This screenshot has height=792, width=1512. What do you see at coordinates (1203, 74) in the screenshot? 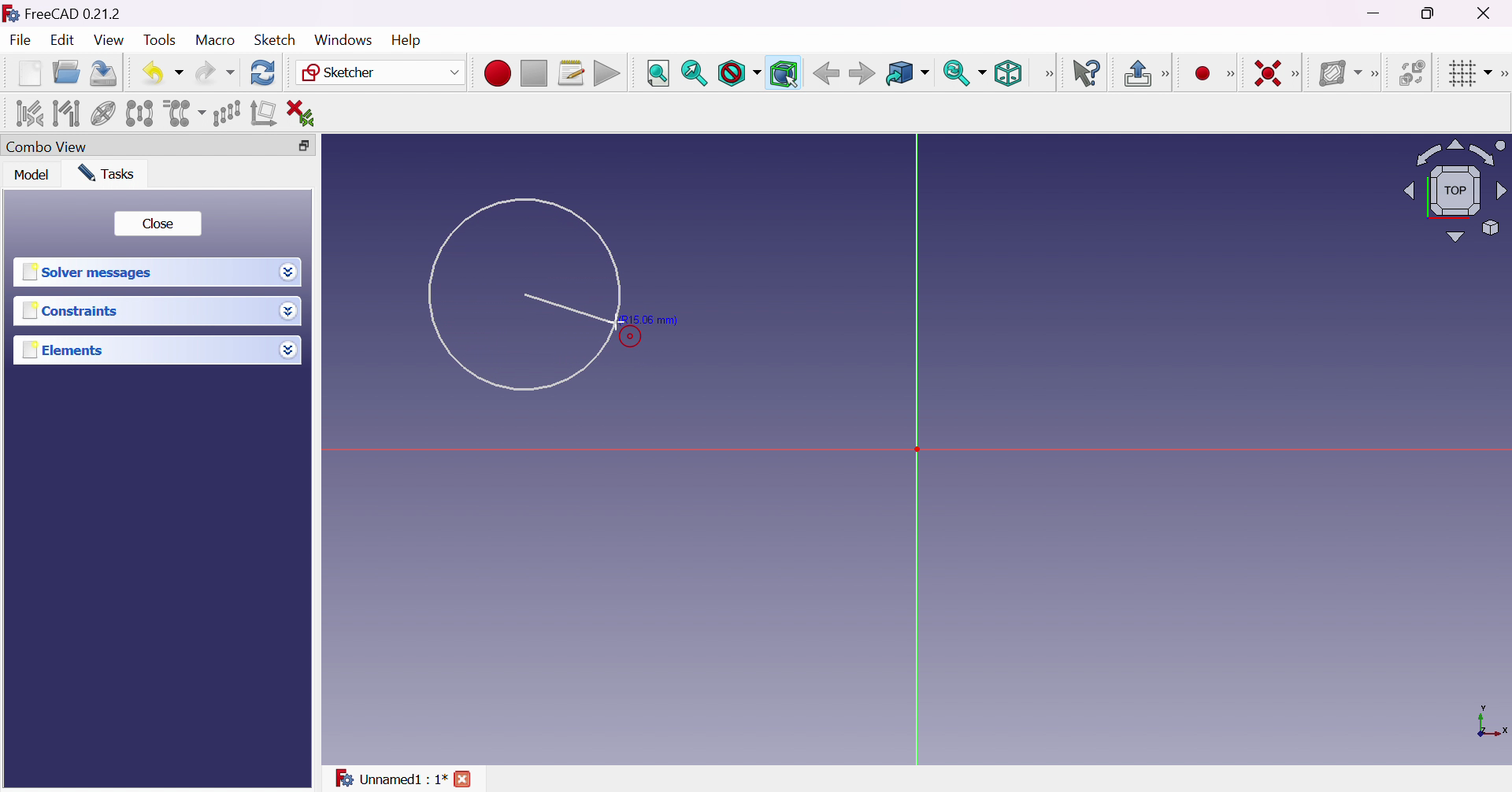
I see `Create point` at bounding box center [1203, 74].